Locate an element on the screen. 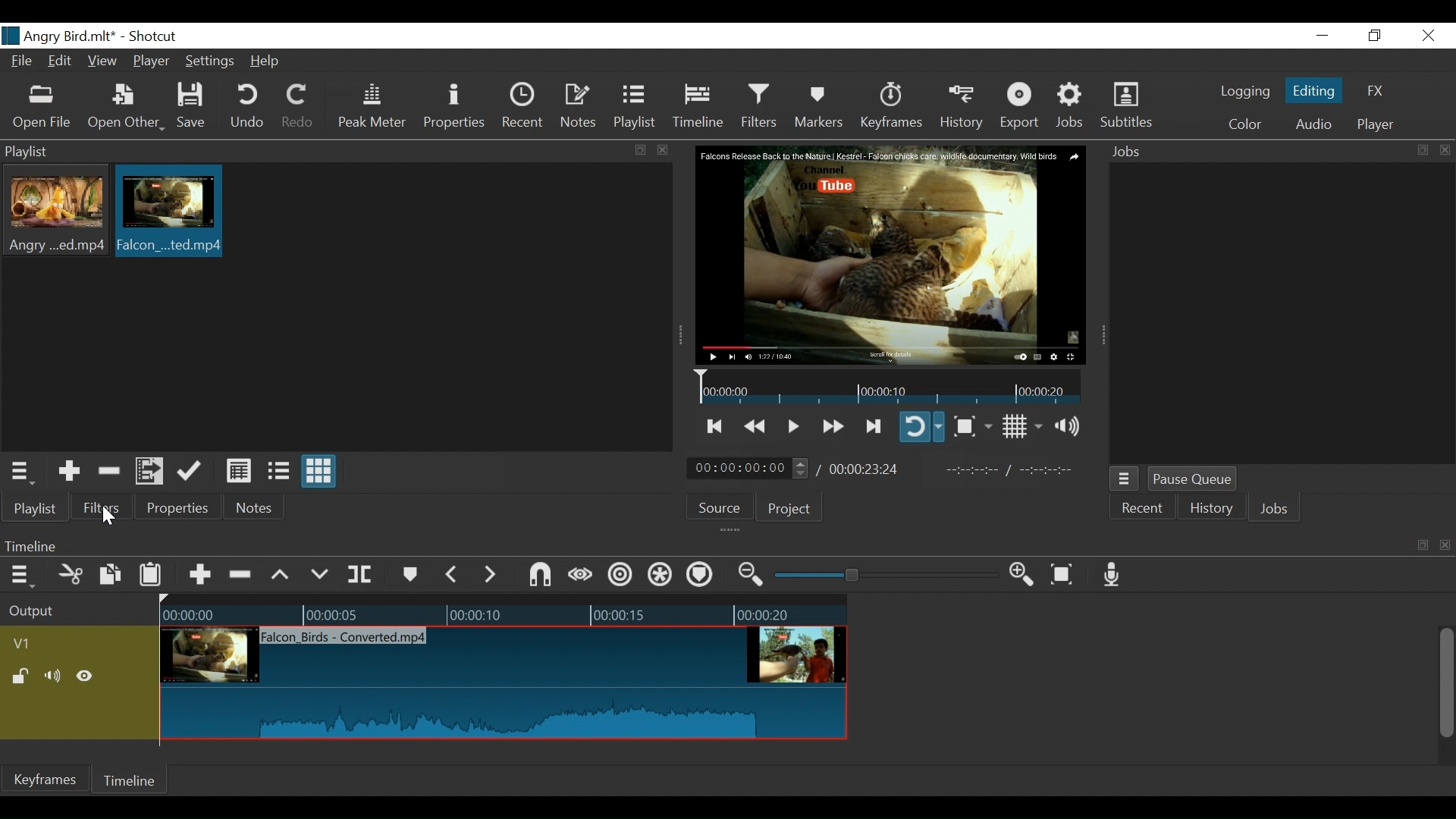  View as icons is located at coordinates (320, 471).